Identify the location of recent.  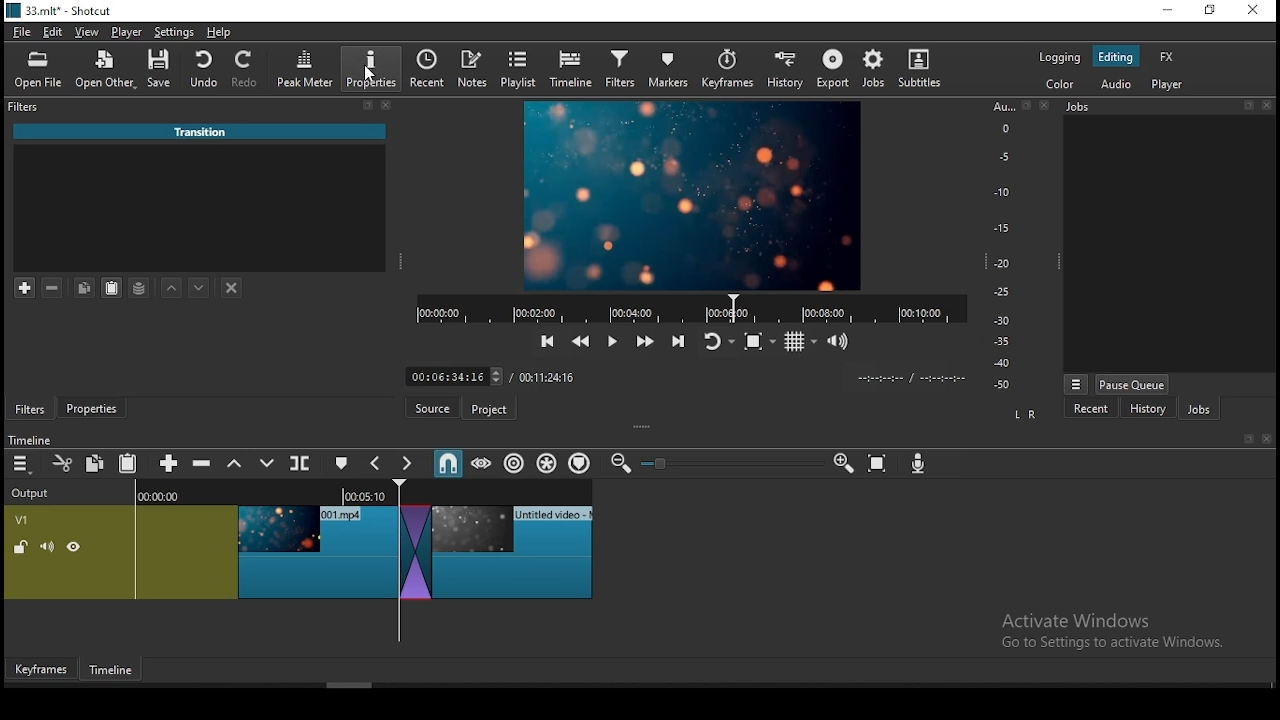
(1091, 408).